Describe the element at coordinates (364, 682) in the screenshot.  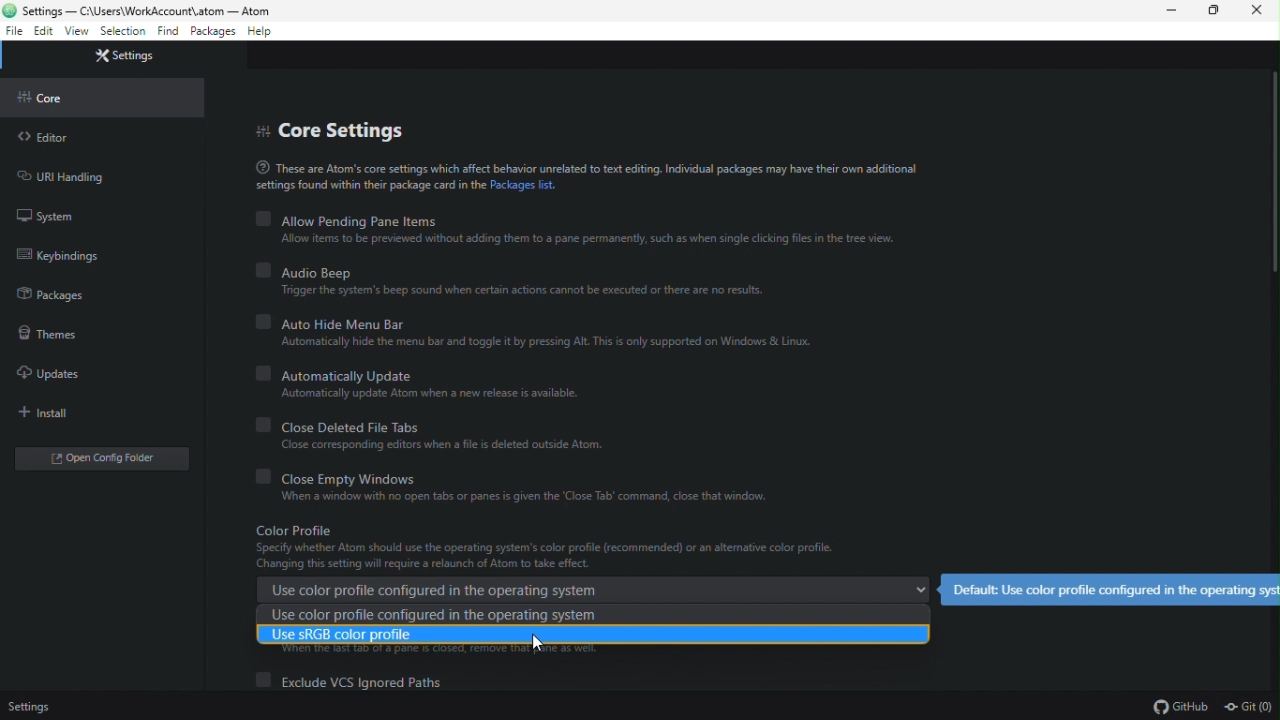
I see `exclude VCS ignored file paths` at that location.